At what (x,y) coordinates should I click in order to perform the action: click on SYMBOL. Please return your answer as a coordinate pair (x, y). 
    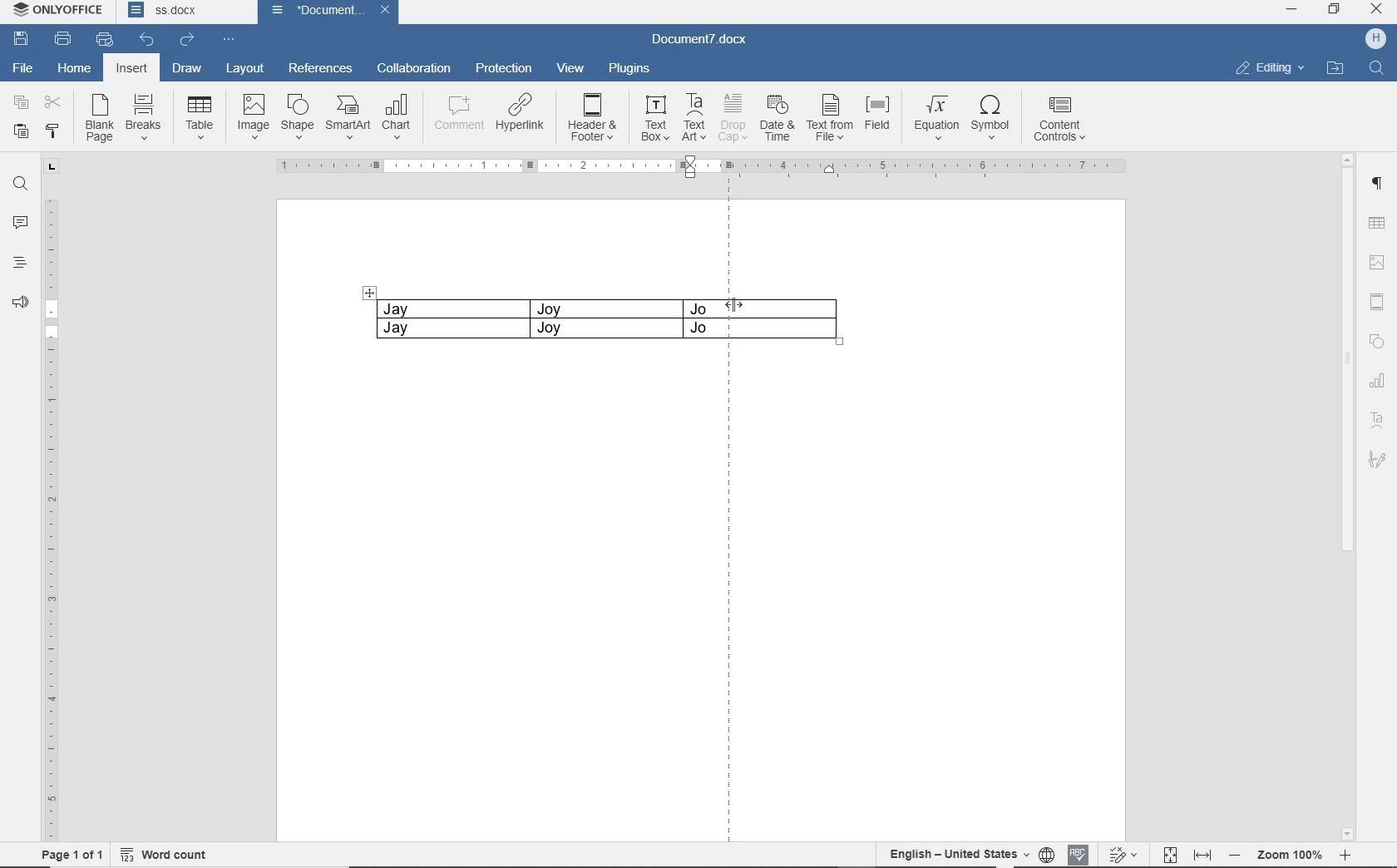
    Looking at the image, I should click on (990, 118).